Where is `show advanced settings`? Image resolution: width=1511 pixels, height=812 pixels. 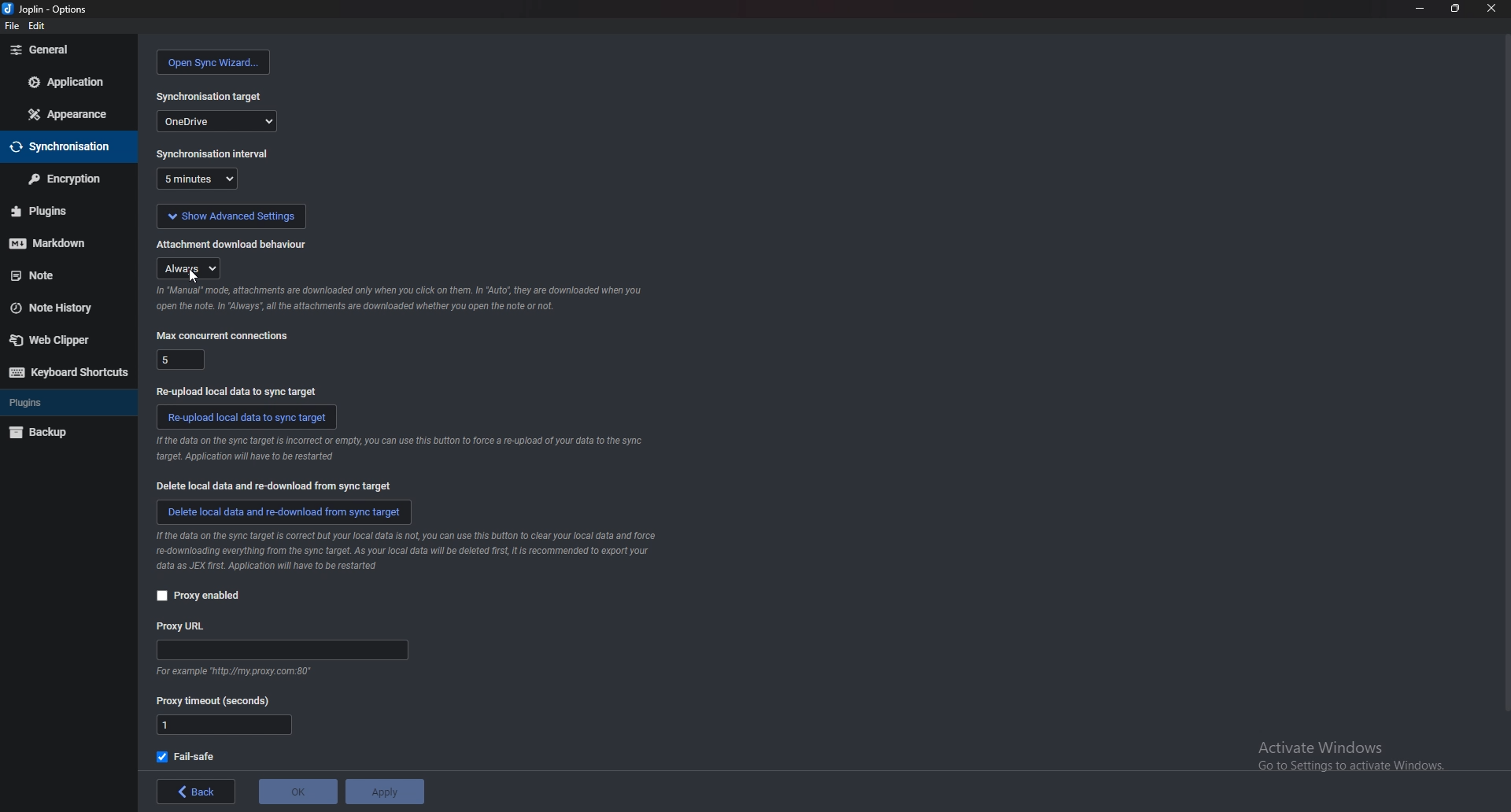
show advanced settings is located at coordinates (231, 216).